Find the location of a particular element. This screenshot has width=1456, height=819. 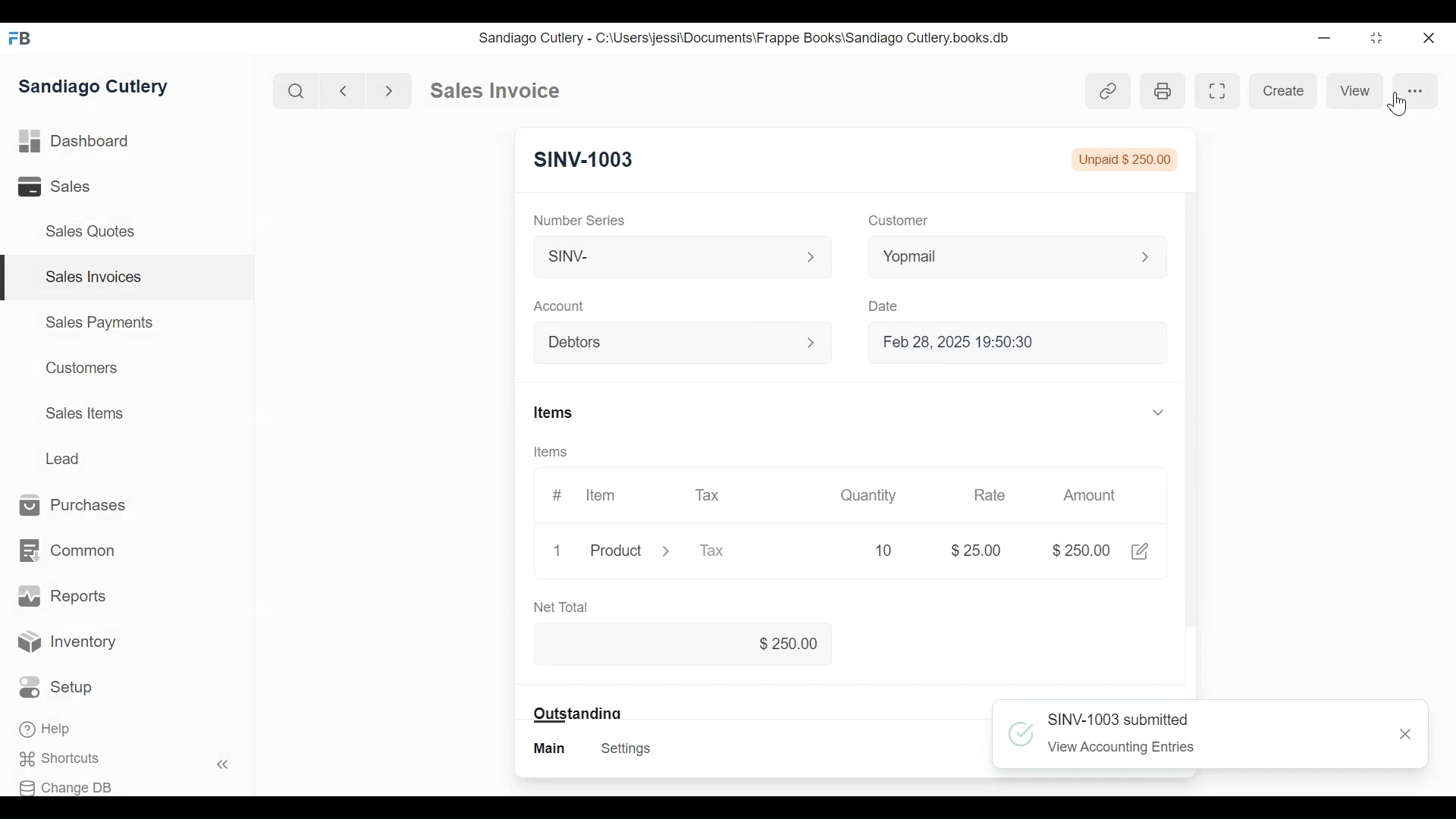

link is located at coordinates (1109, 91).